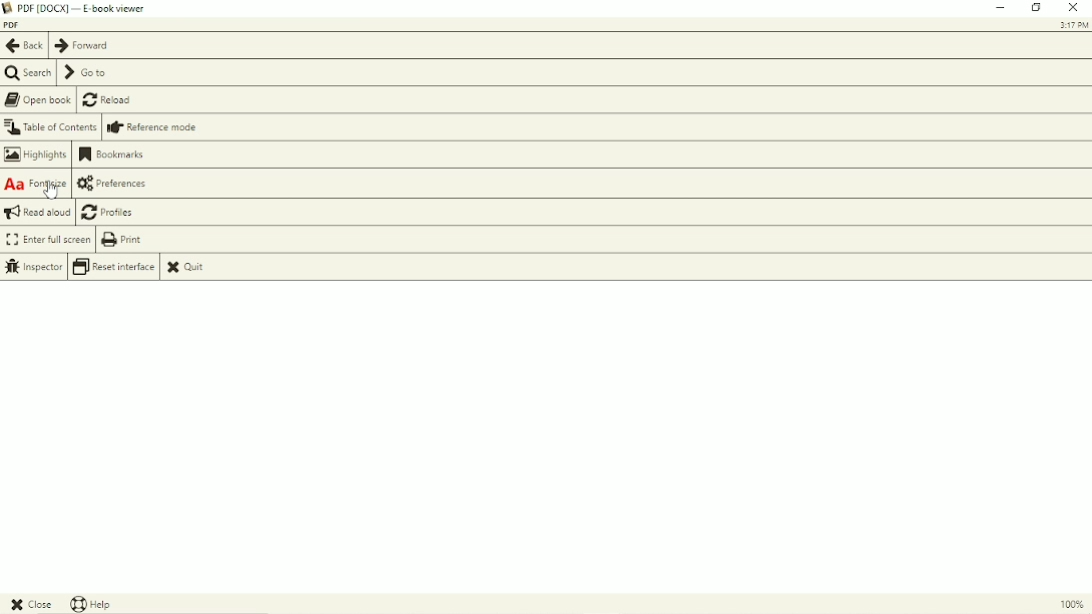 This screenshot has width=1092, height=614. I want to click on Help, so click(95, 604).